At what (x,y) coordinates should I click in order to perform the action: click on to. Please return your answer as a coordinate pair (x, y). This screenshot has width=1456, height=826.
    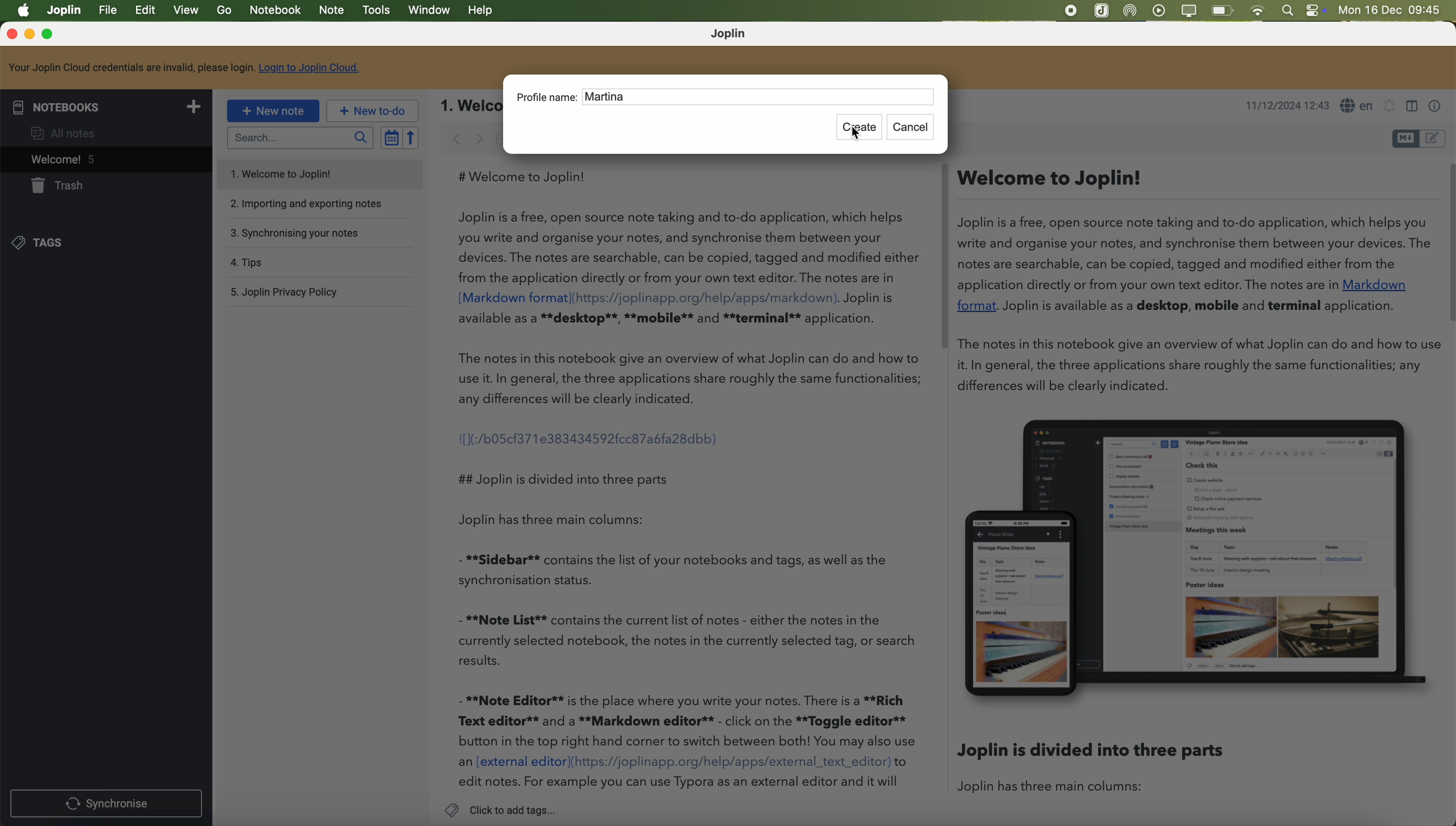
    Looking at the image, I should click on (902, 762).